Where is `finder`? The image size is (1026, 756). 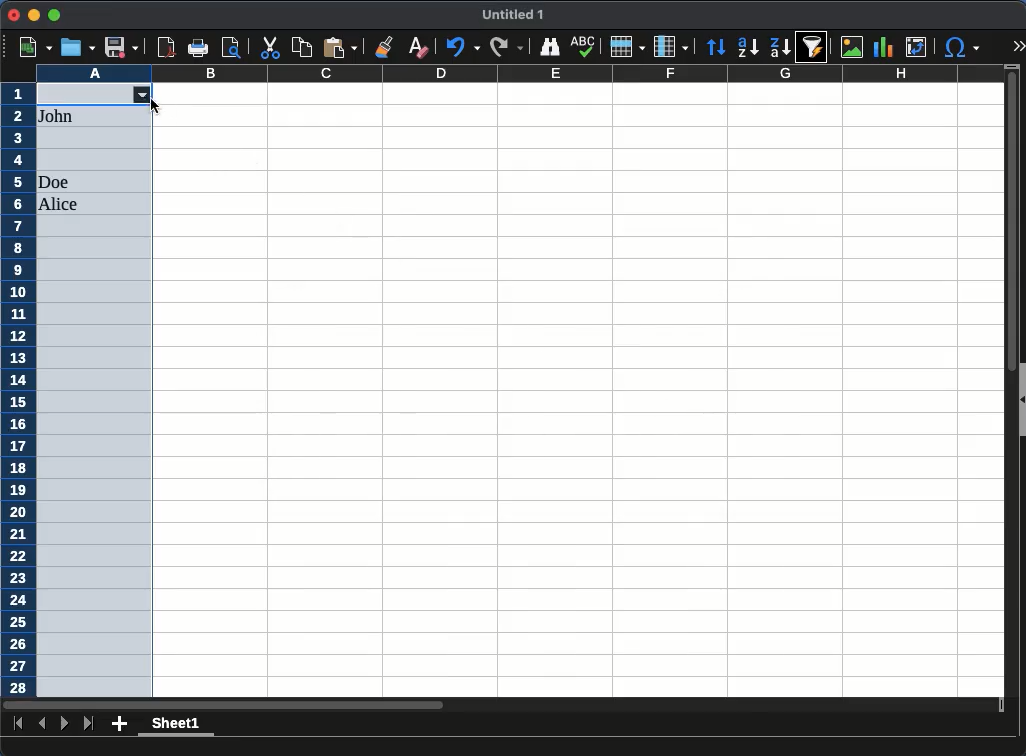
finder is located at coordinates (549, 48).